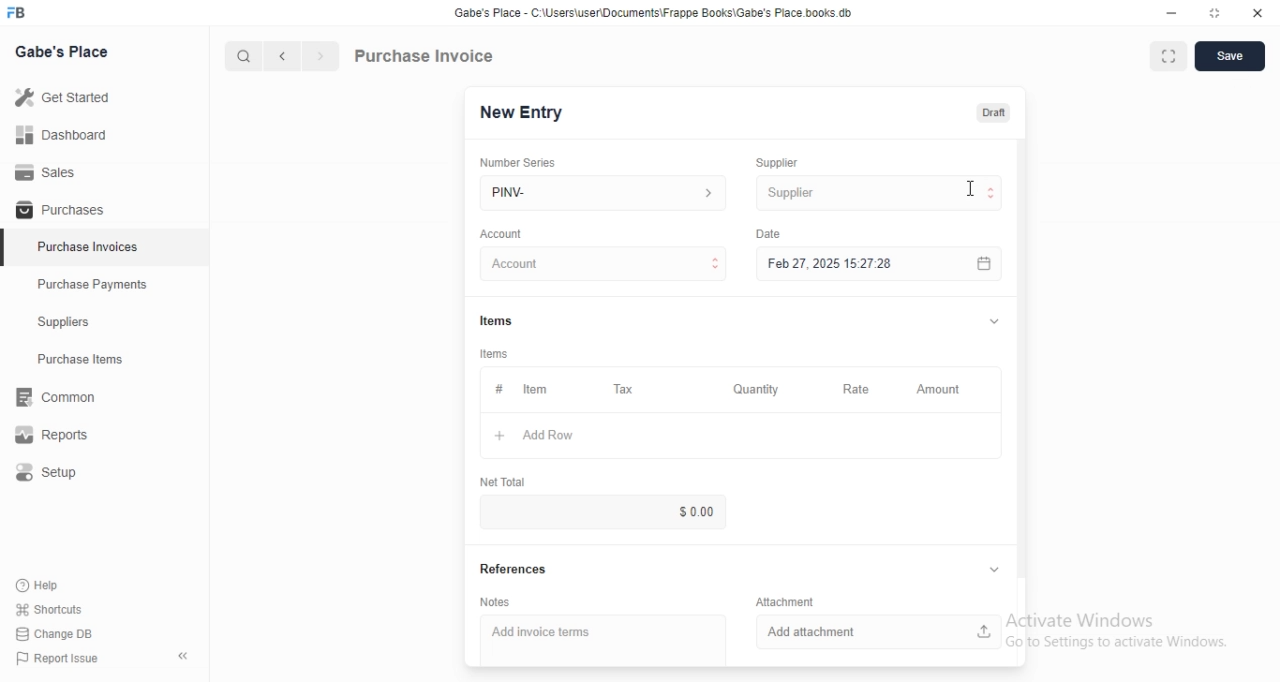 This screenshot has width=1280, height=682. I want to click on Get Started, so click(104, 97).